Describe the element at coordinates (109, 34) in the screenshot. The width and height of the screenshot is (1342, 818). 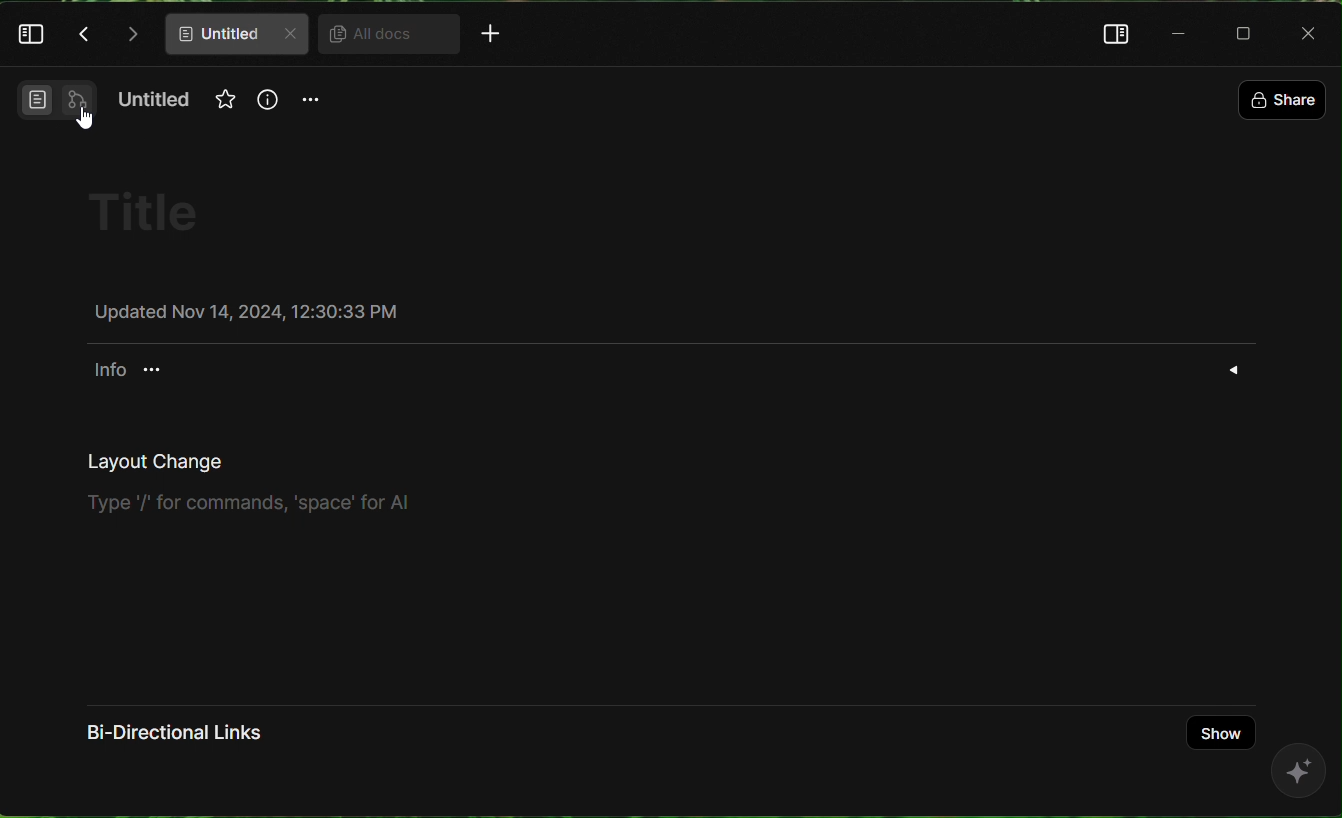
I see `Actions` at that location.